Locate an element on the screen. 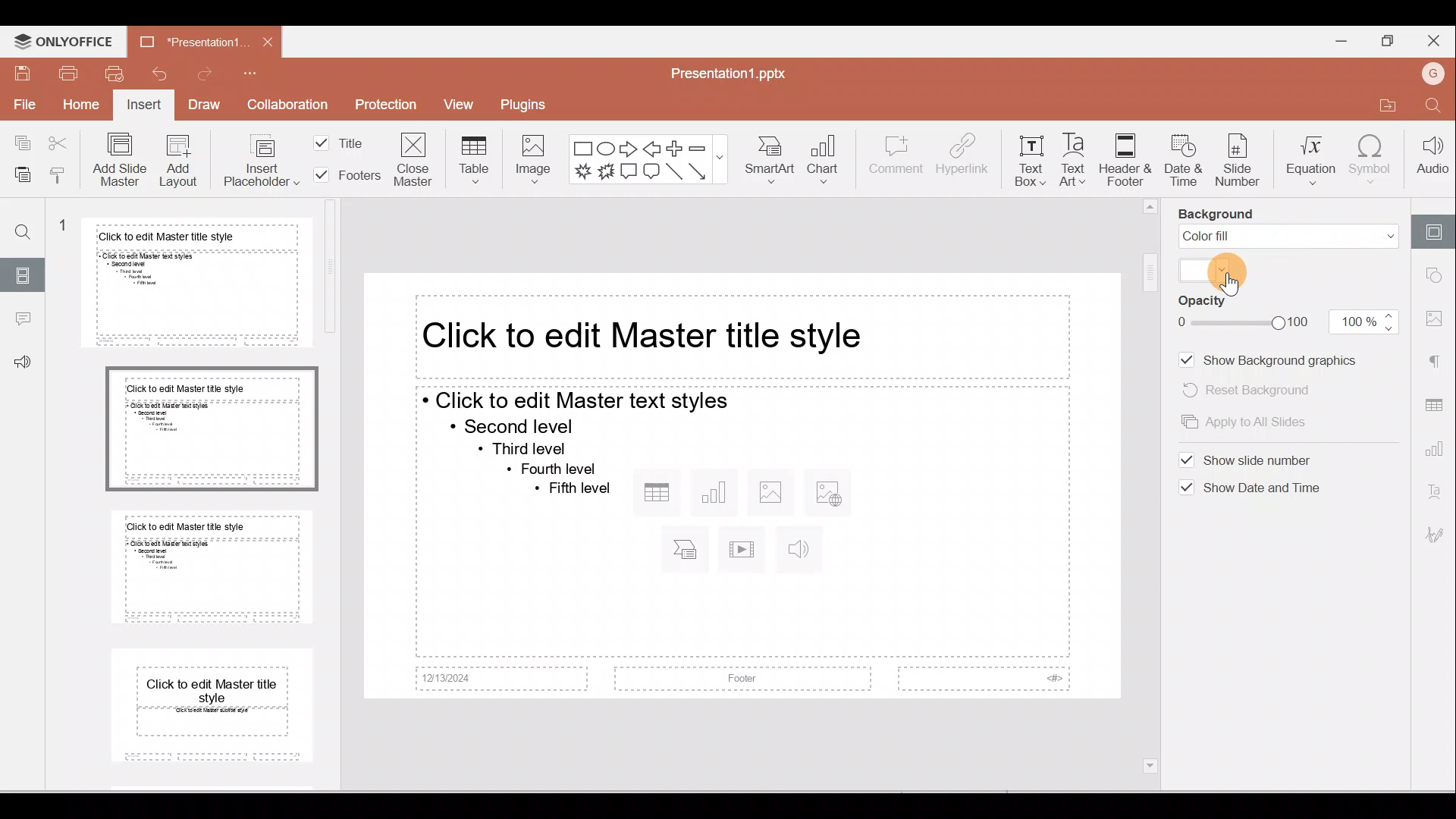 The width and height of the screenshot is (1456, 819). opacity value is located at coordinates (1366, 322).